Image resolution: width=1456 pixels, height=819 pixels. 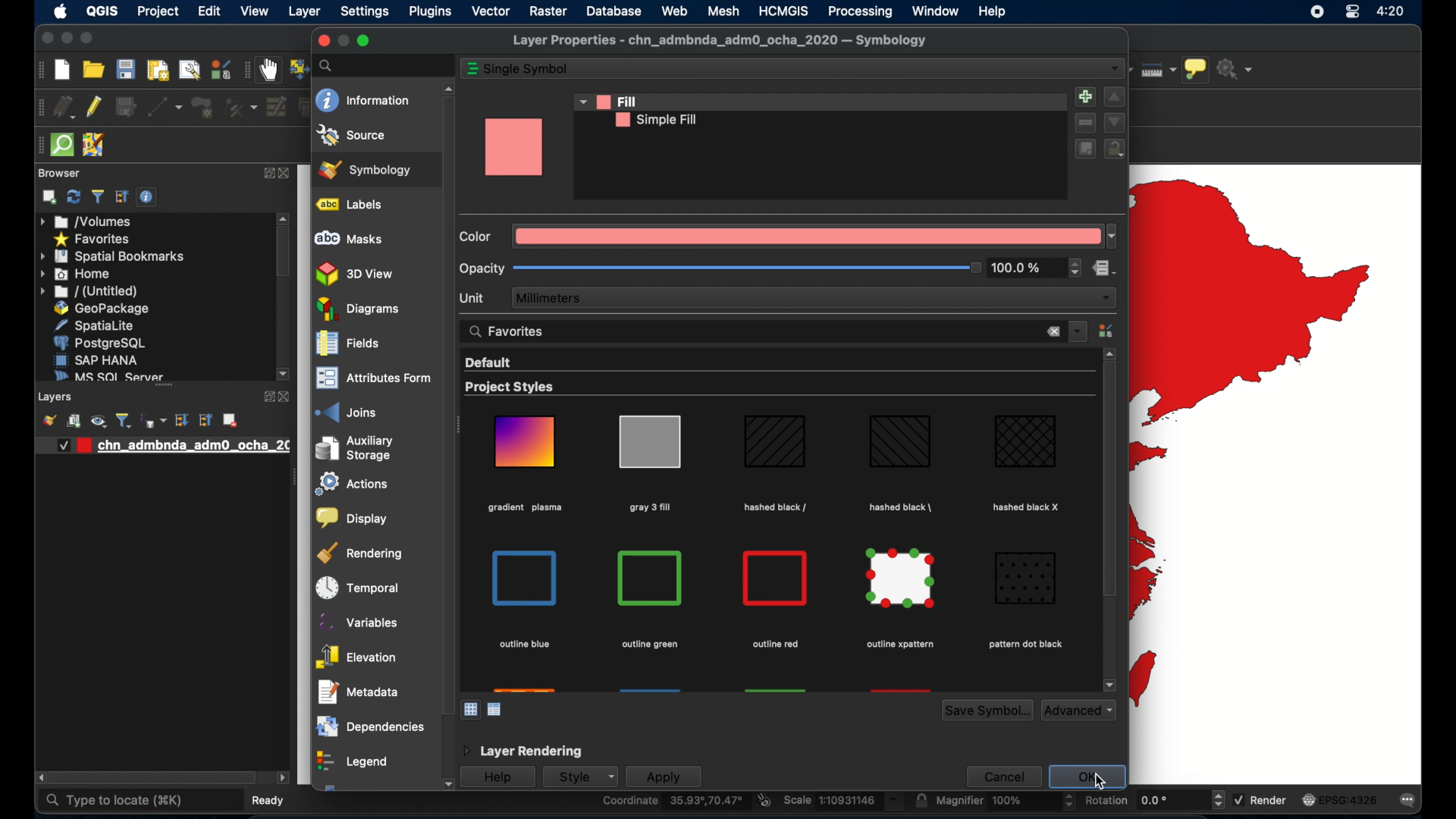 I want to click on move down, so click(x=1115, y=122).